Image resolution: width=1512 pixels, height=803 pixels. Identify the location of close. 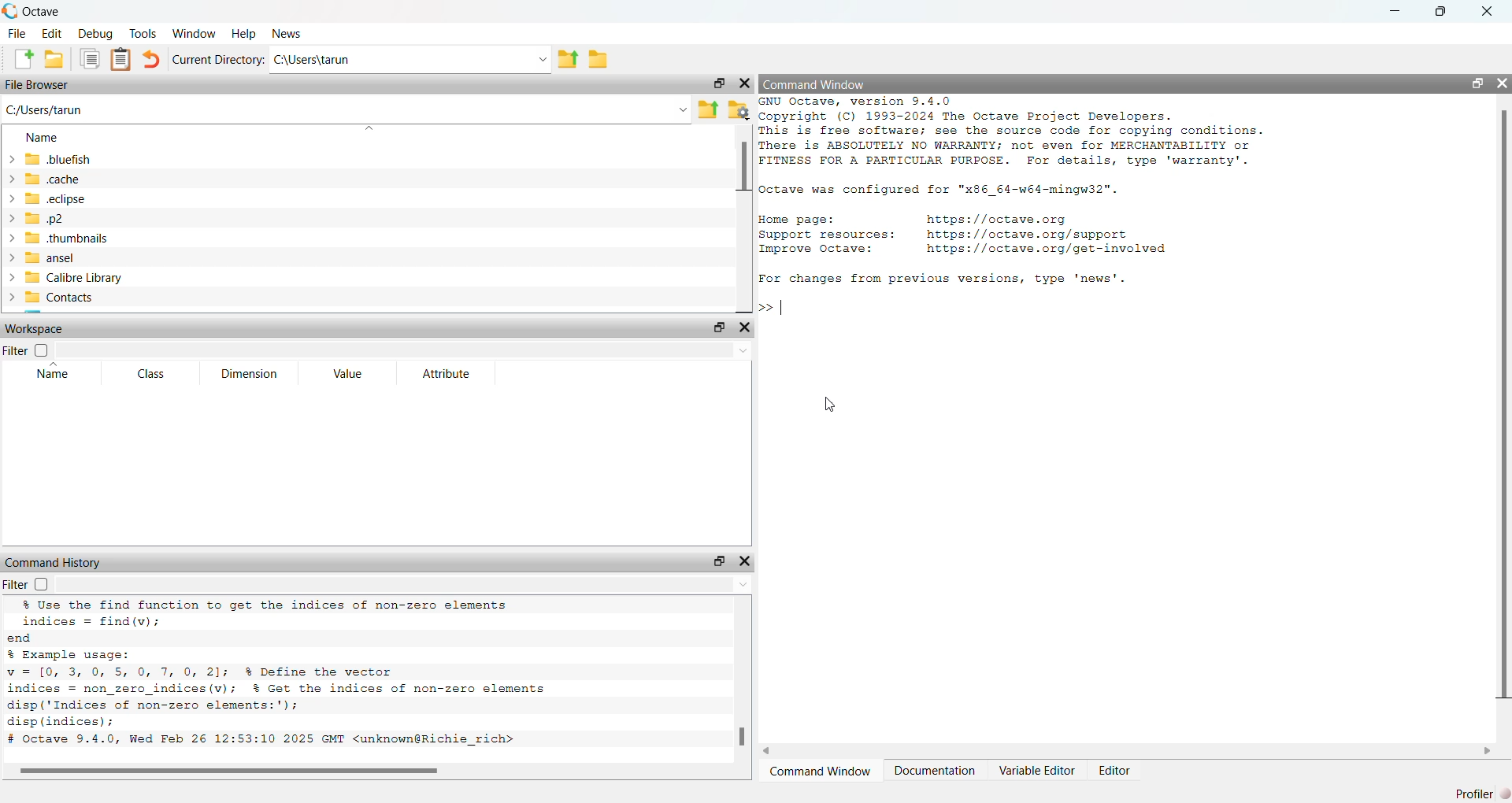
(1503, 81).